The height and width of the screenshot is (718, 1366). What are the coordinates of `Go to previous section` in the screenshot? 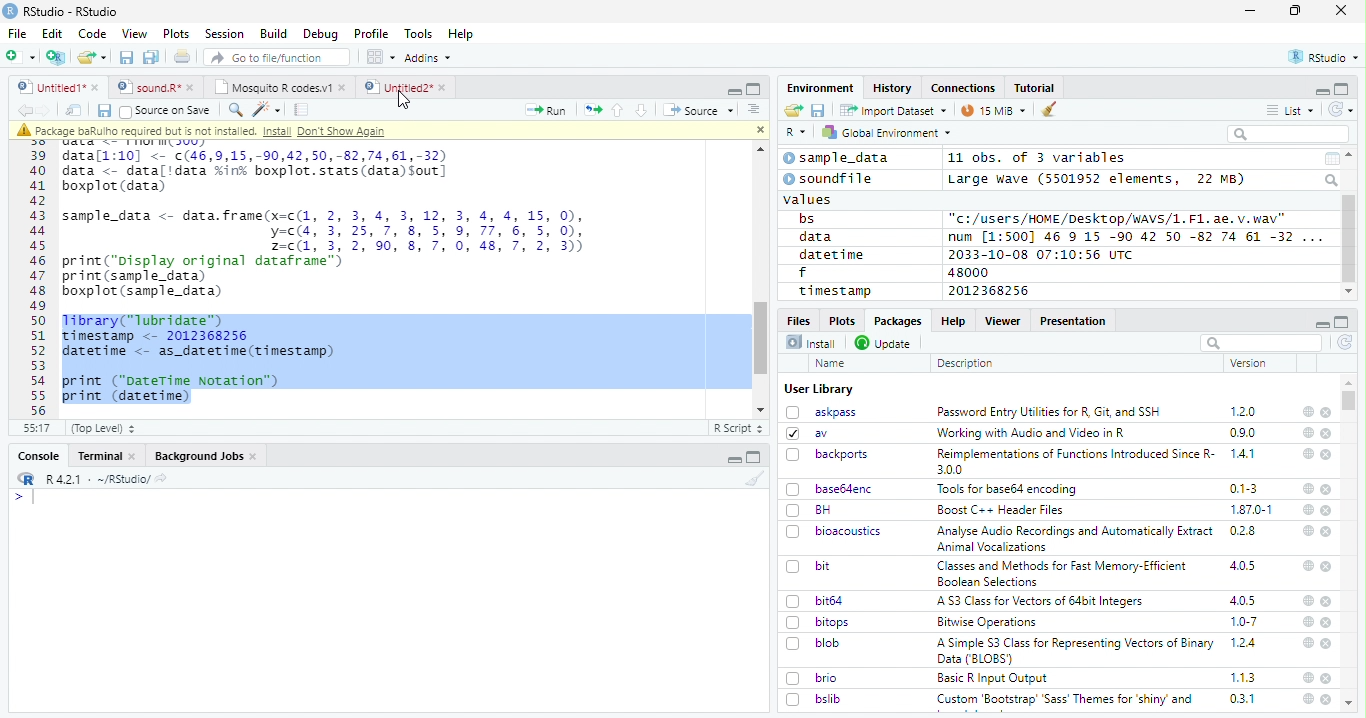 It's located at (619, 110).